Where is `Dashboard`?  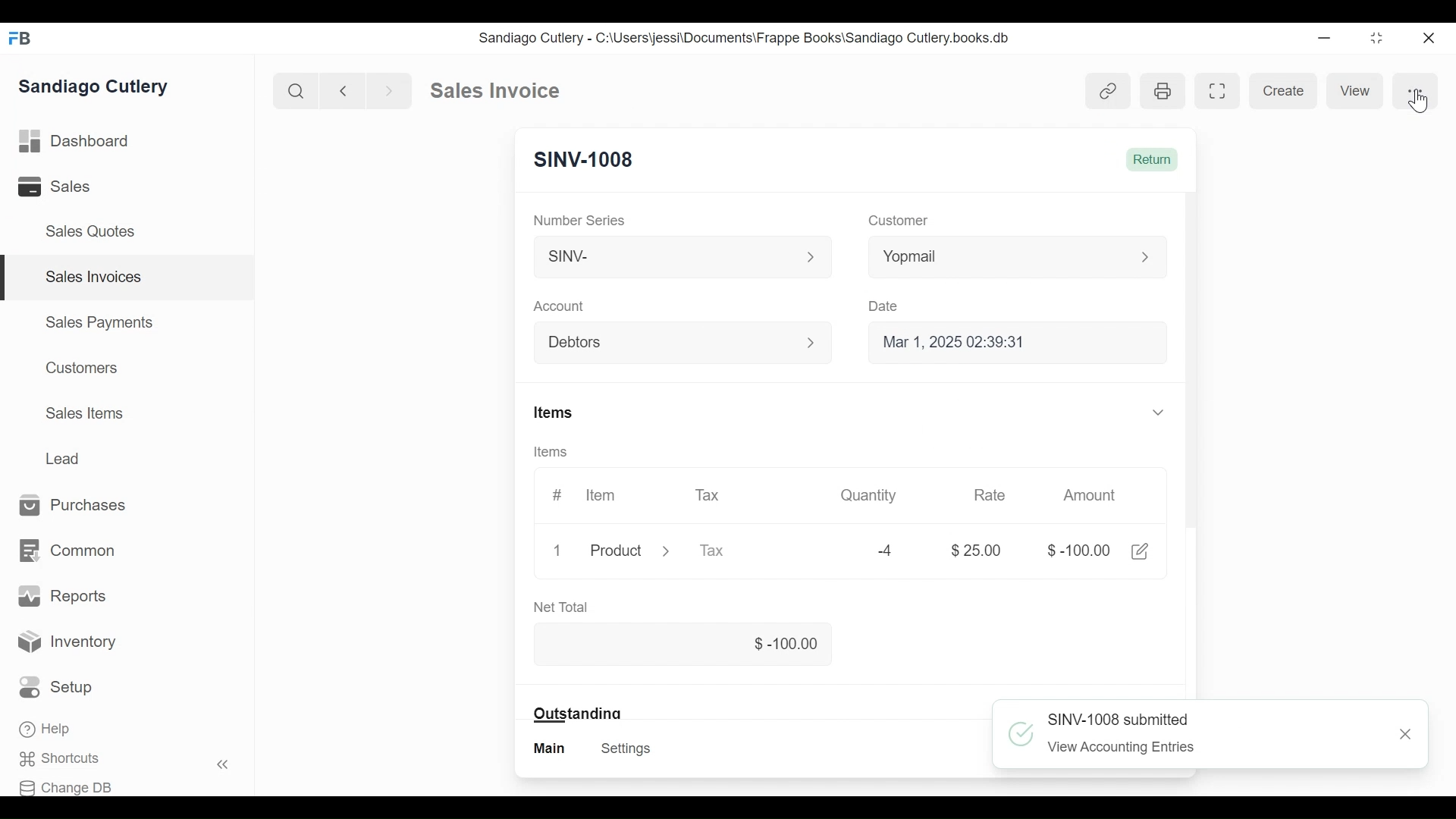
Dashboard is located at coordinates (74, 141).